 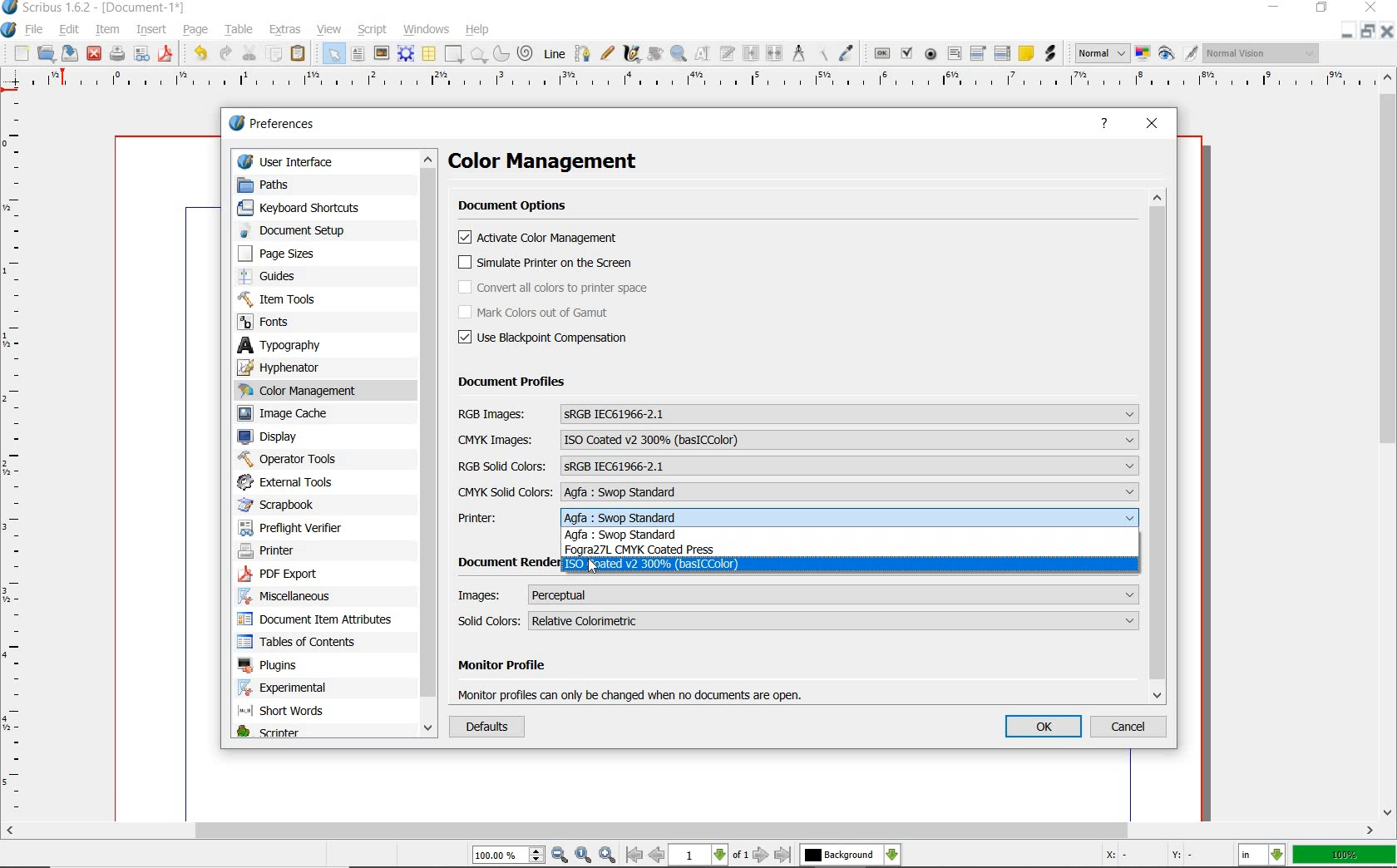 What do you see at coordinates (1263, 856) in the screenshot?
I see `select the current unit` at bounding box center [1263, 856].